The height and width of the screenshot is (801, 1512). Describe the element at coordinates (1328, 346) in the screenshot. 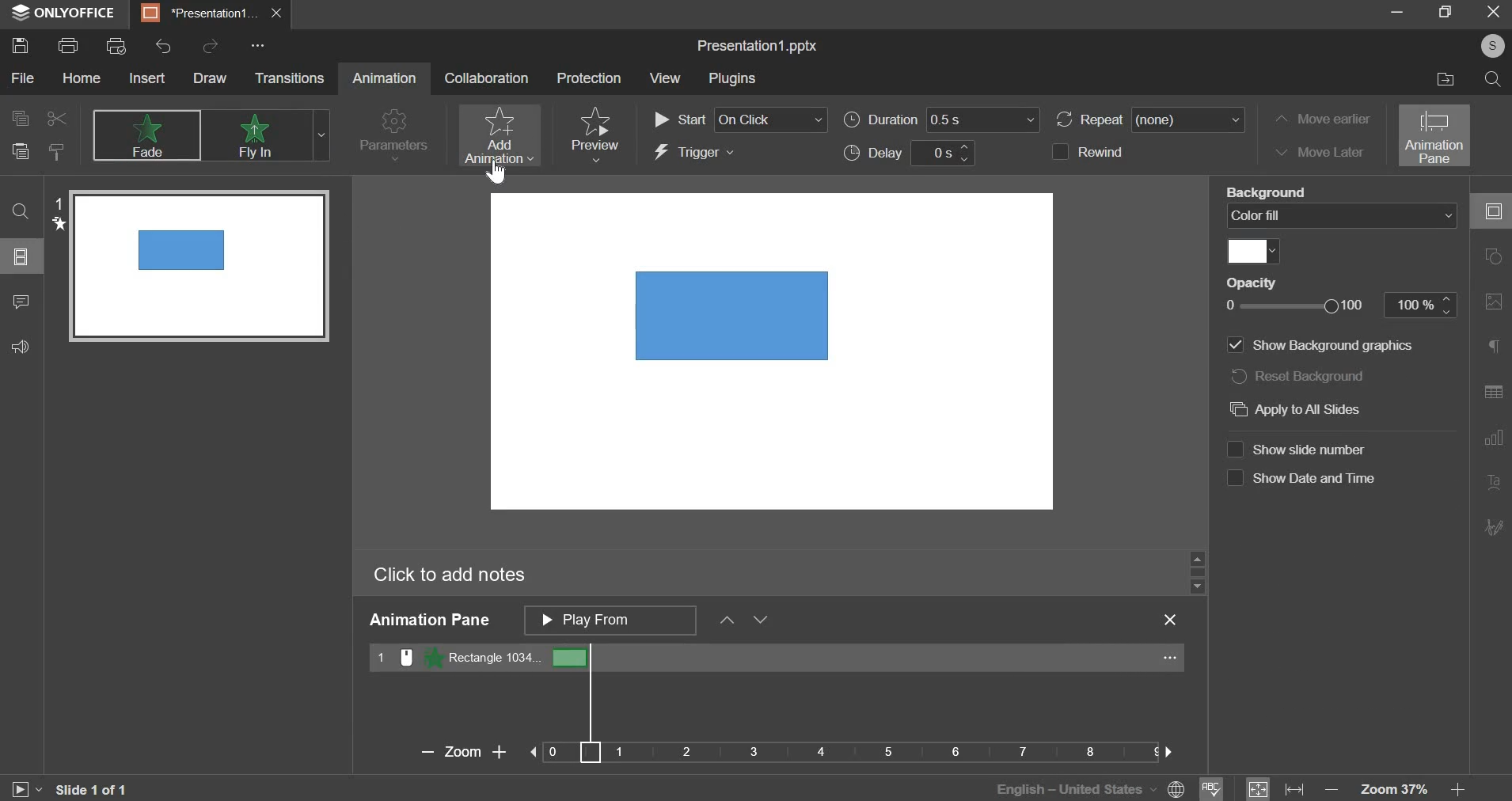

I see `Line` at that location.